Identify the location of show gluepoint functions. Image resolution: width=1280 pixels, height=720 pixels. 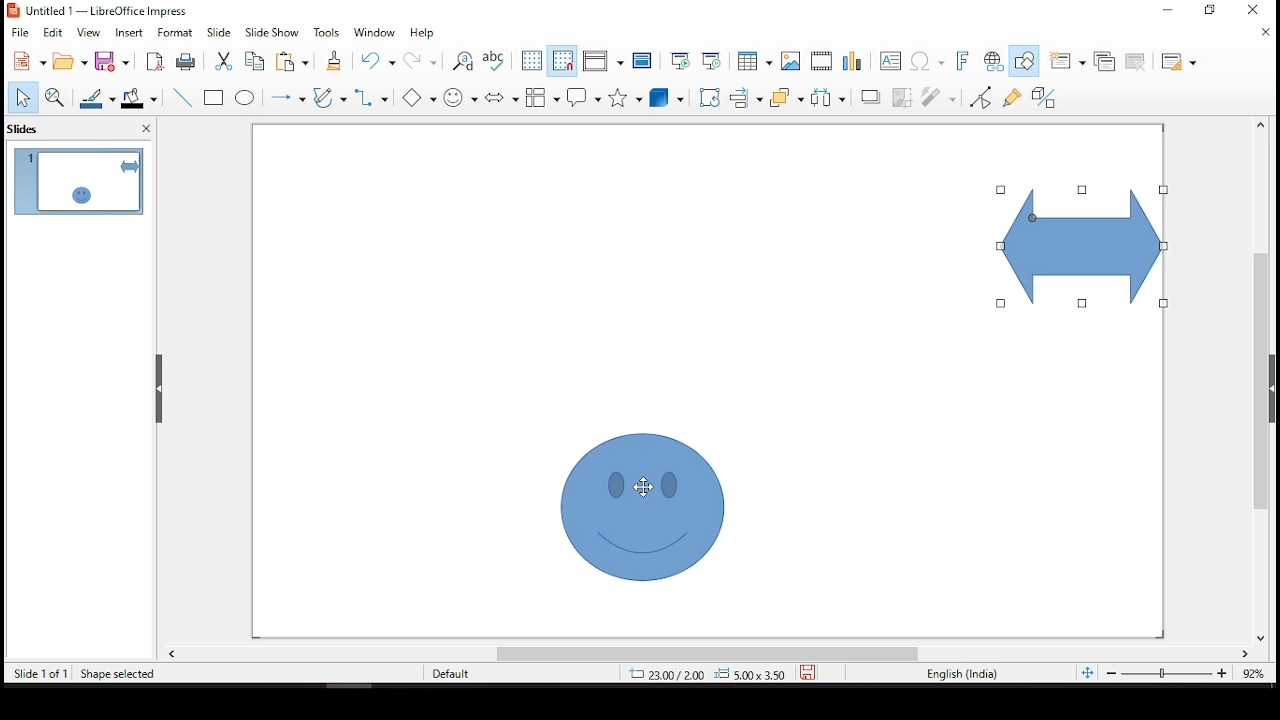
(1012, 97).